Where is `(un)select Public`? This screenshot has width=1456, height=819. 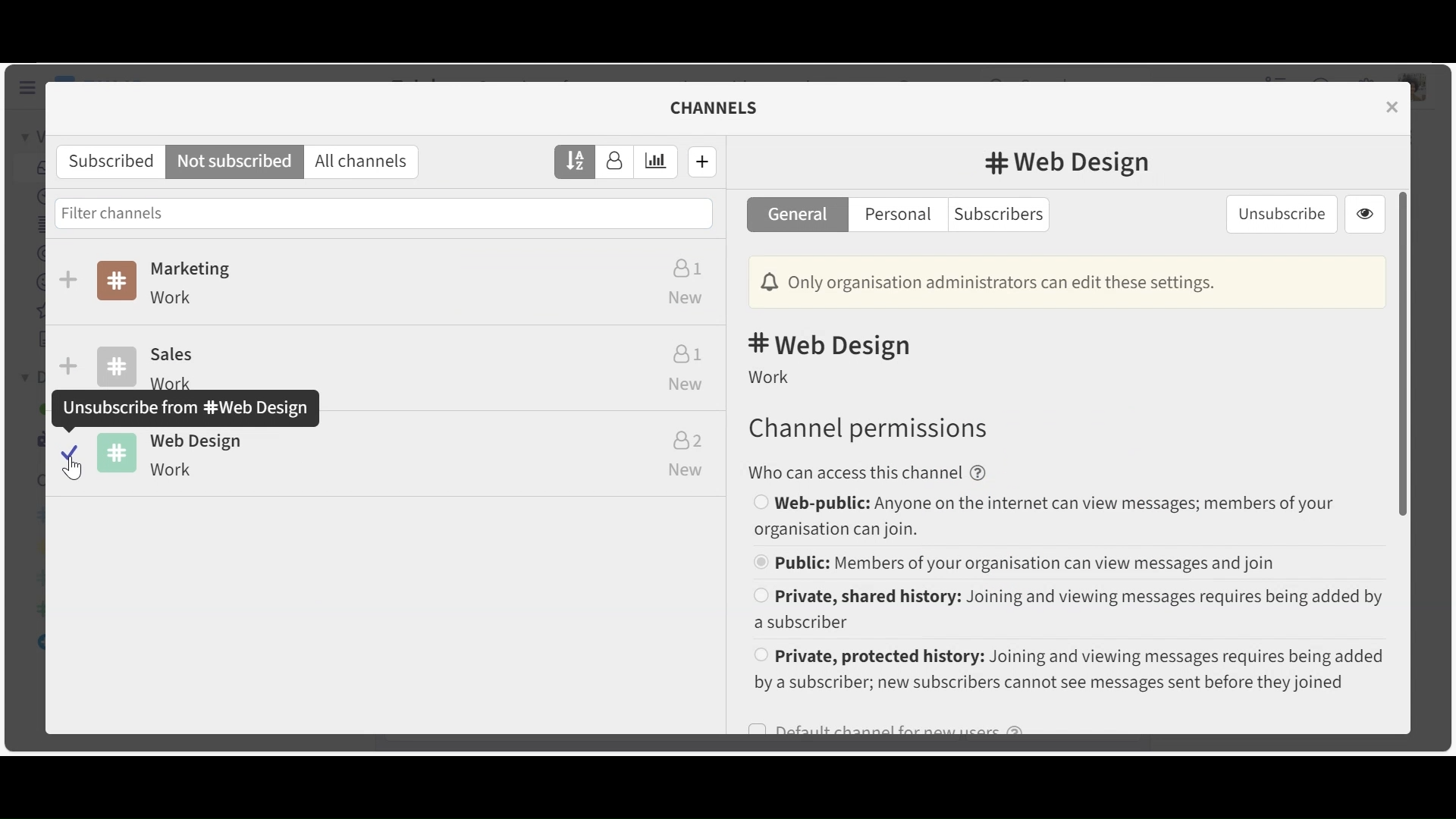 (un)select Public is located at coordinates (1062, 563).